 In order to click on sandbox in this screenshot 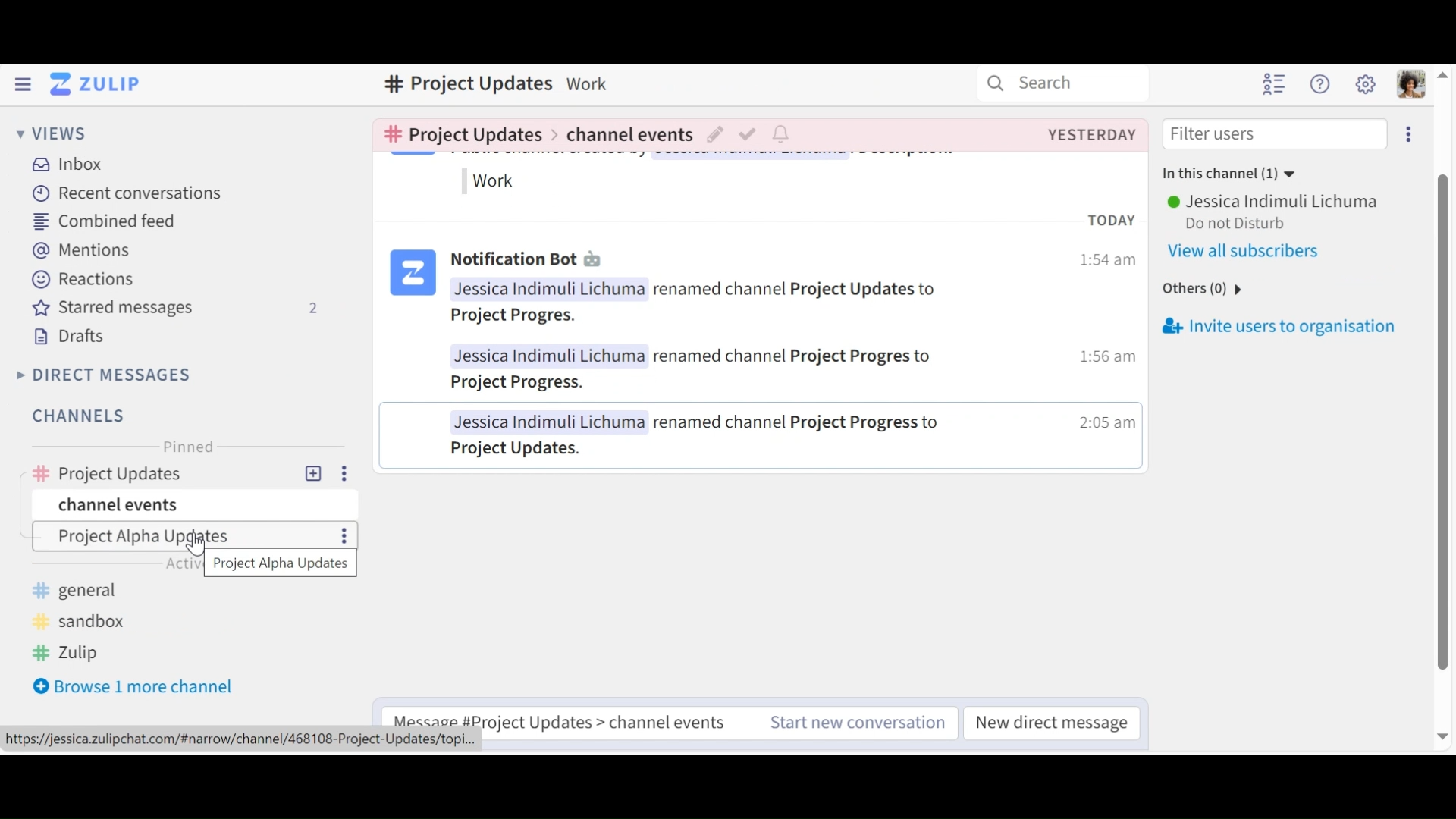, I will do `click(81, 621)`.